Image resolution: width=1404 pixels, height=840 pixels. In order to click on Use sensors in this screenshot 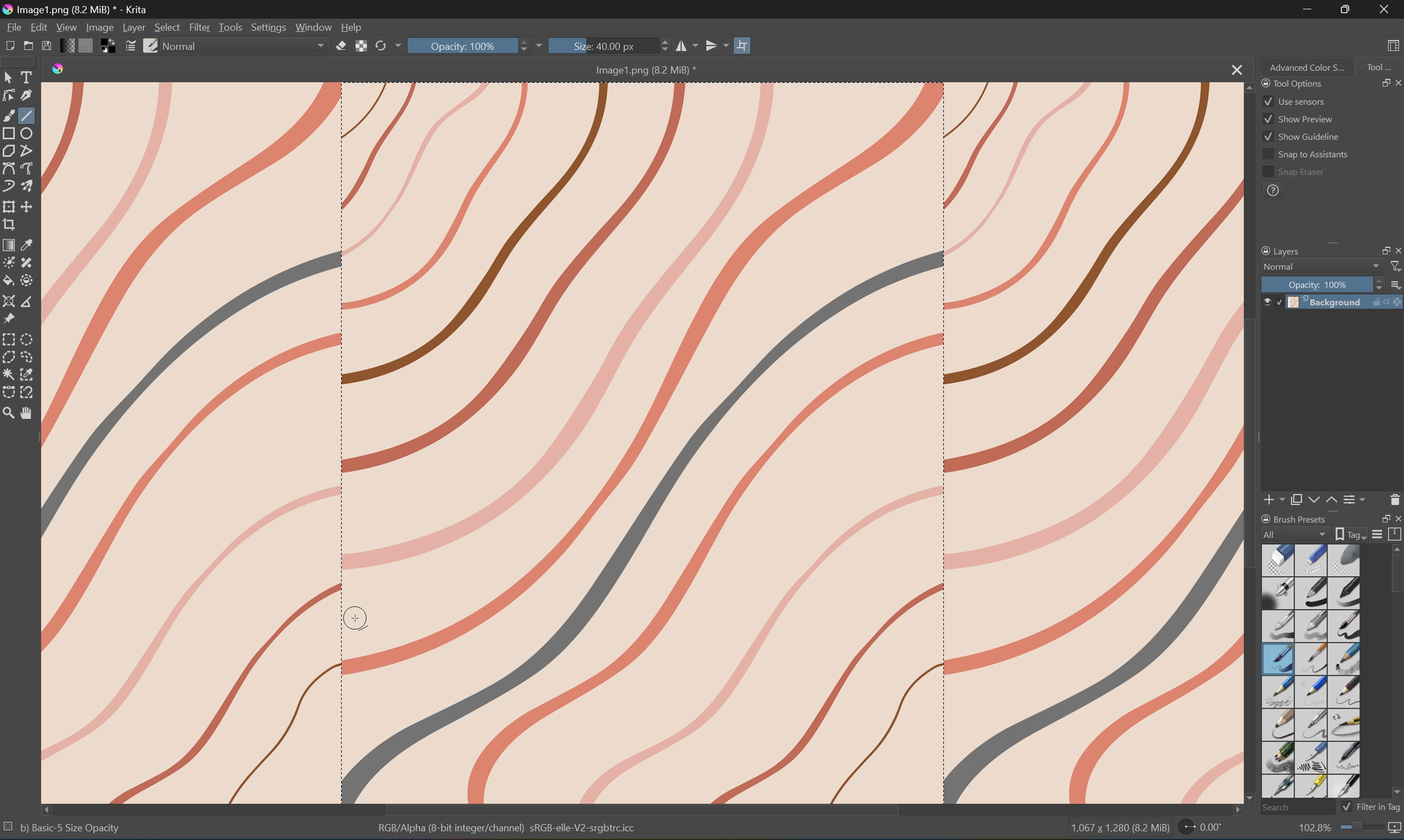, I will do `click(1294, 101)`.